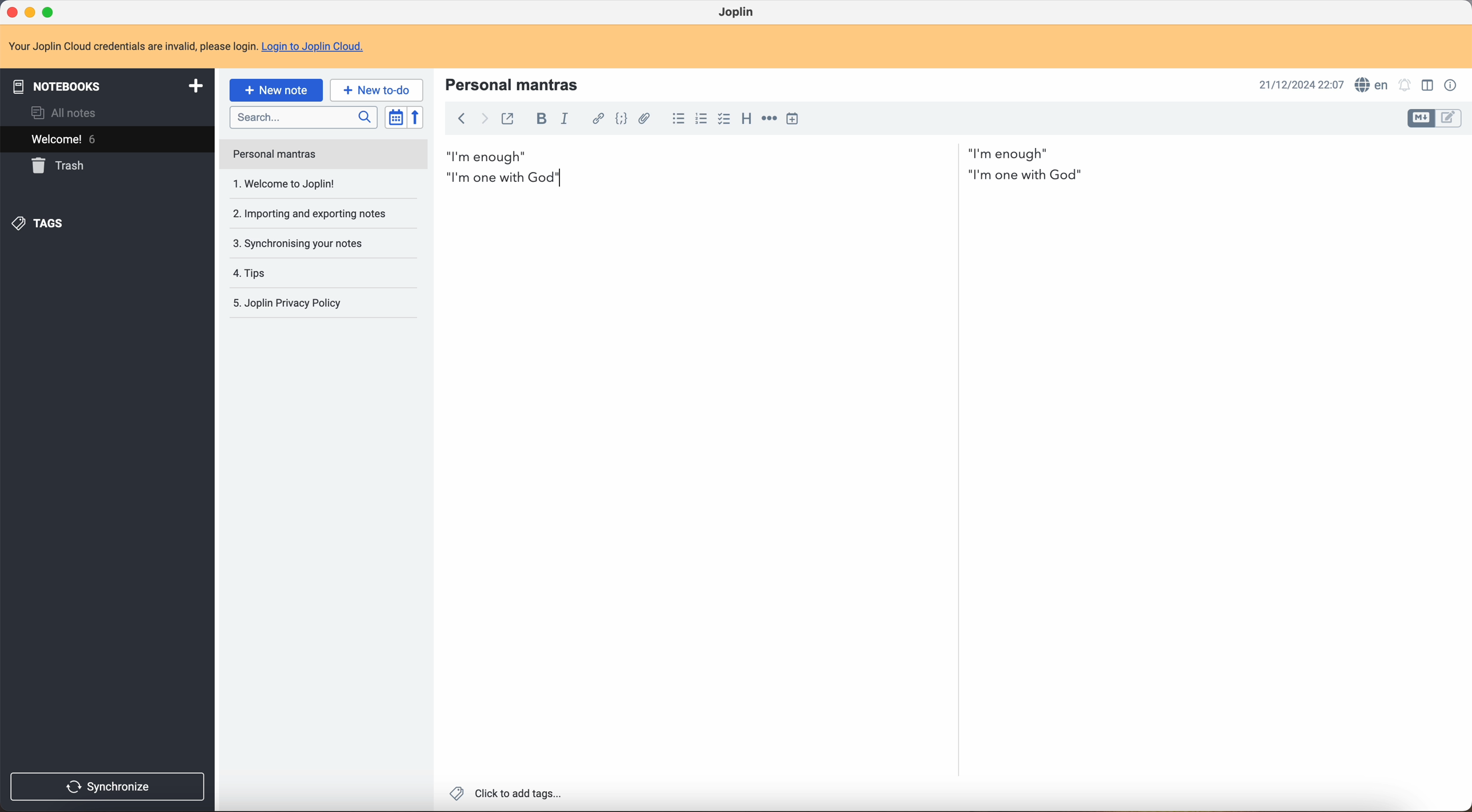 The image size is (1472, 812). Describe the element at coordinates (315, 217) in the screenshot. I see `synchronising your notes` at that location.